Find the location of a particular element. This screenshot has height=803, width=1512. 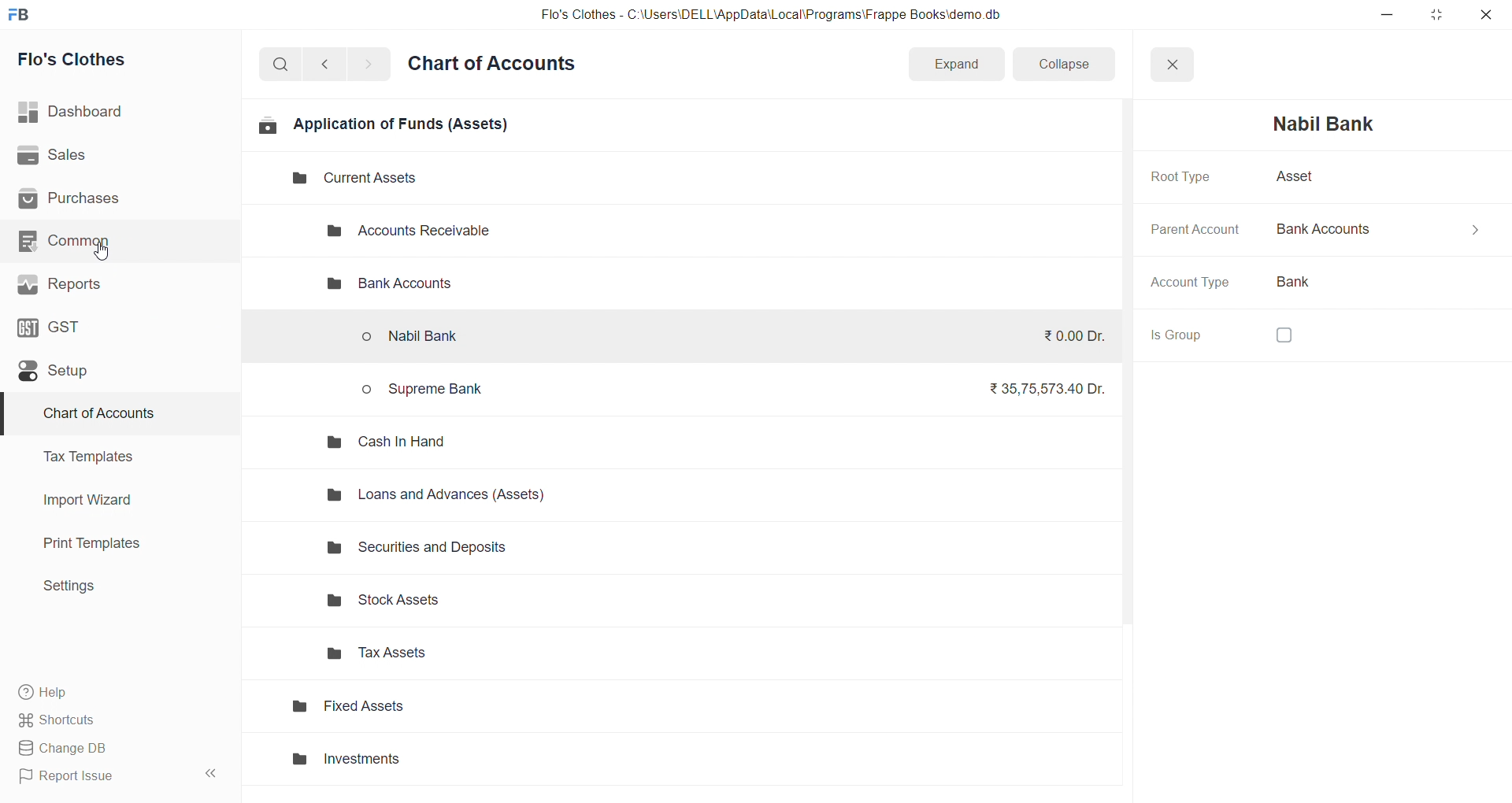

Collapse sidebar is located at coordinates (213, 776).